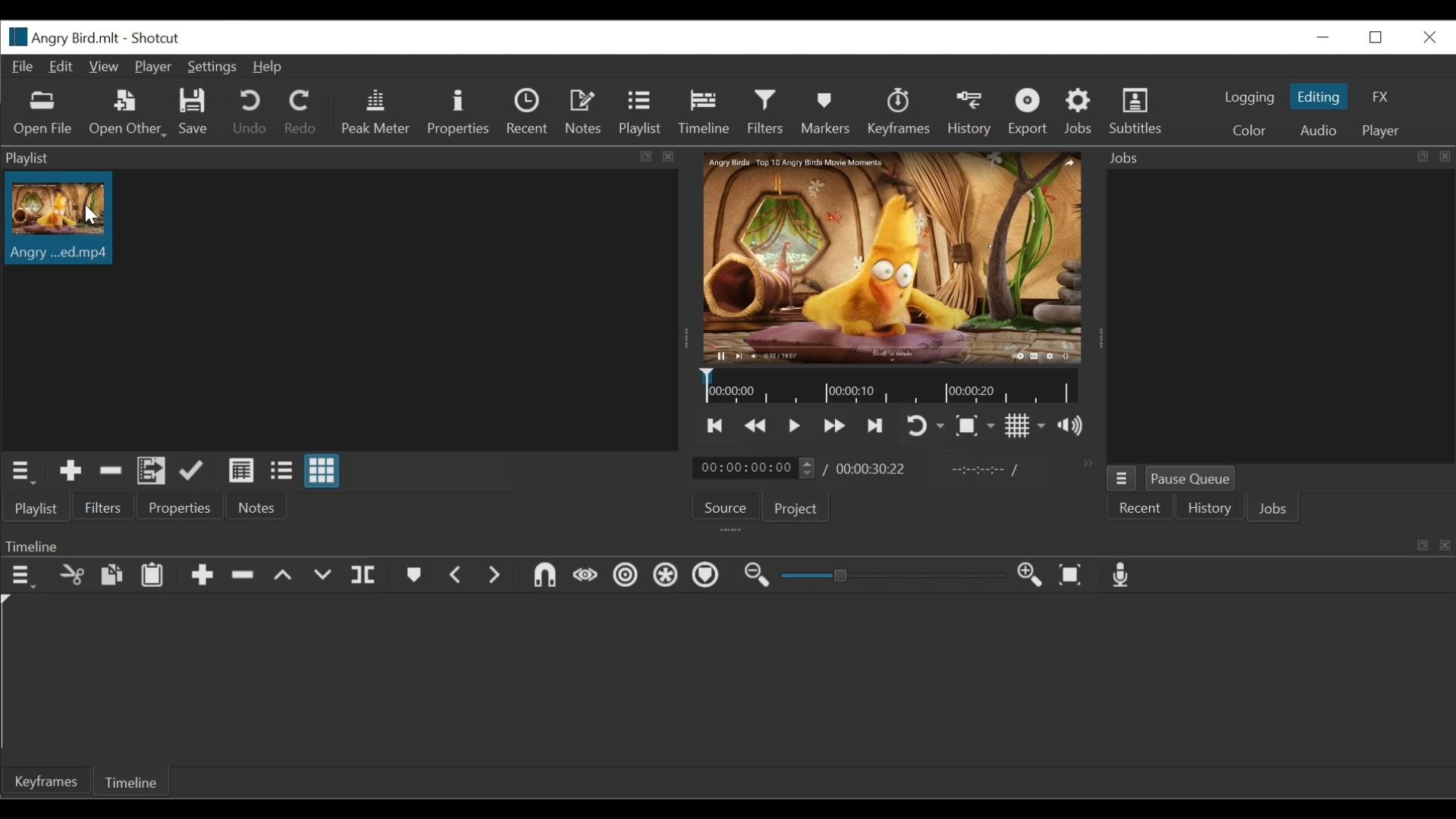 This screenshot has width=1456, height=819. What do you see at coordinates (875, 427) in the screenshot?
I see `Skip to the next point` at bounding box center [875, 427].